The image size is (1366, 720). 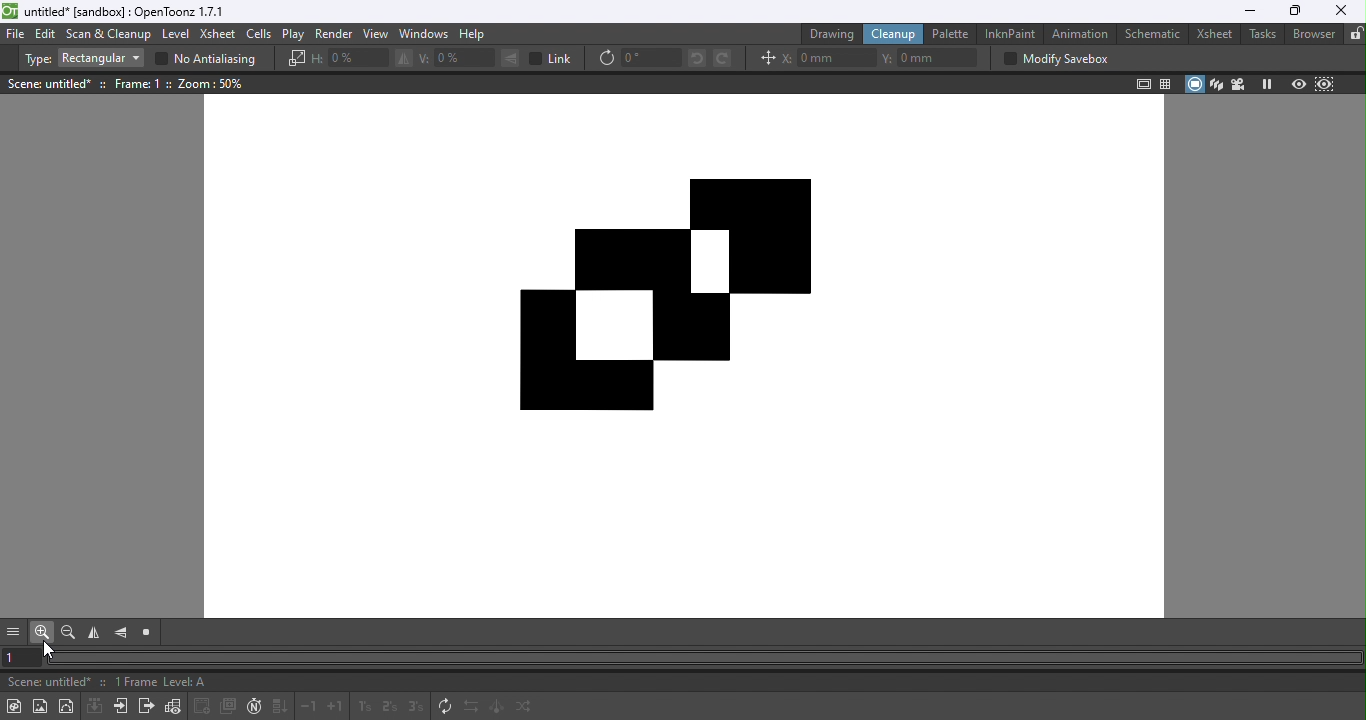 I want to click on Random, so click(x=527, y=708).